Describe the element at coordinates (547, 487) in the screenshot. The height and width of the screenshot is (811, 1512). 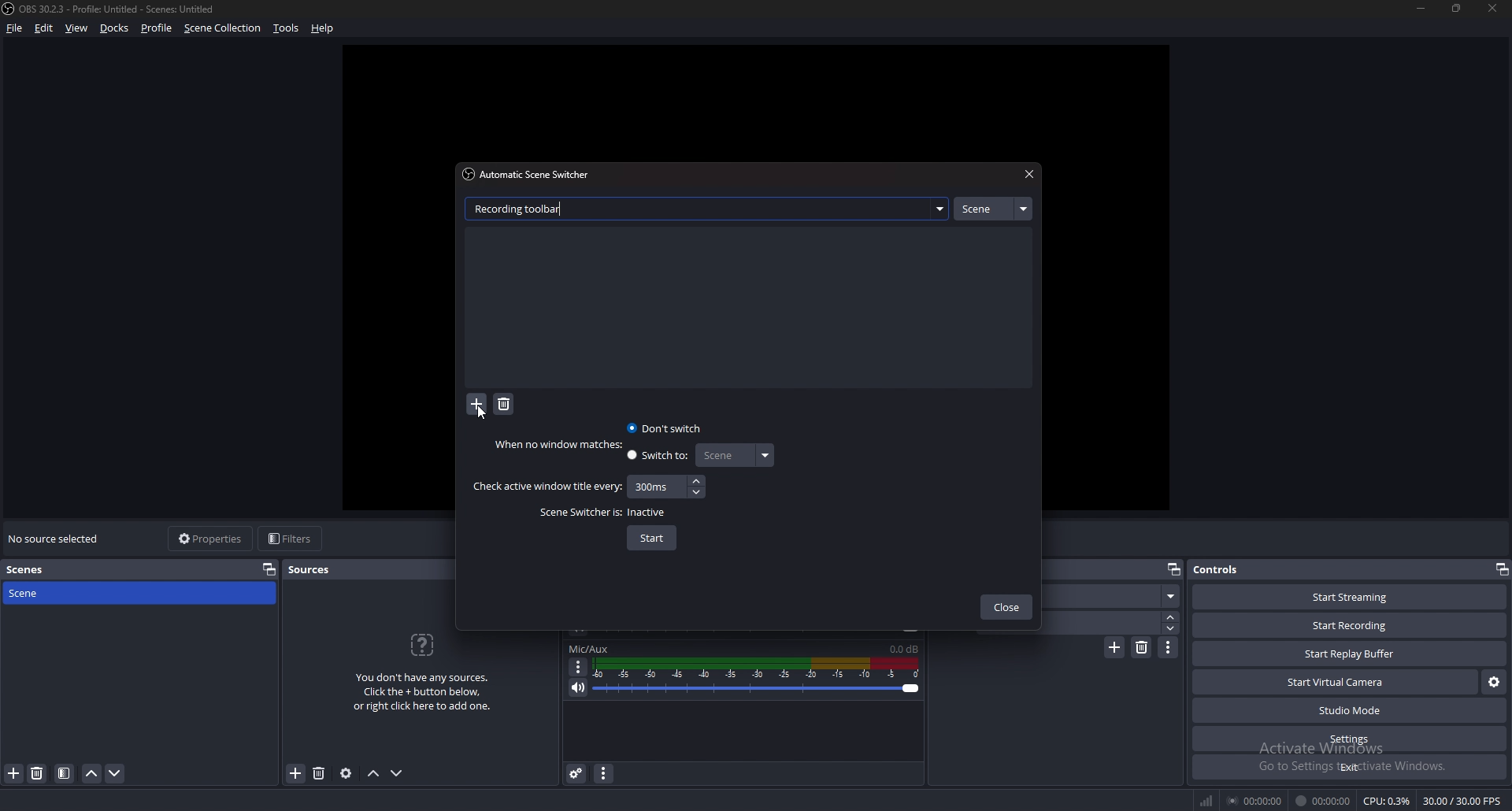
I see `check active window title every` at that location.